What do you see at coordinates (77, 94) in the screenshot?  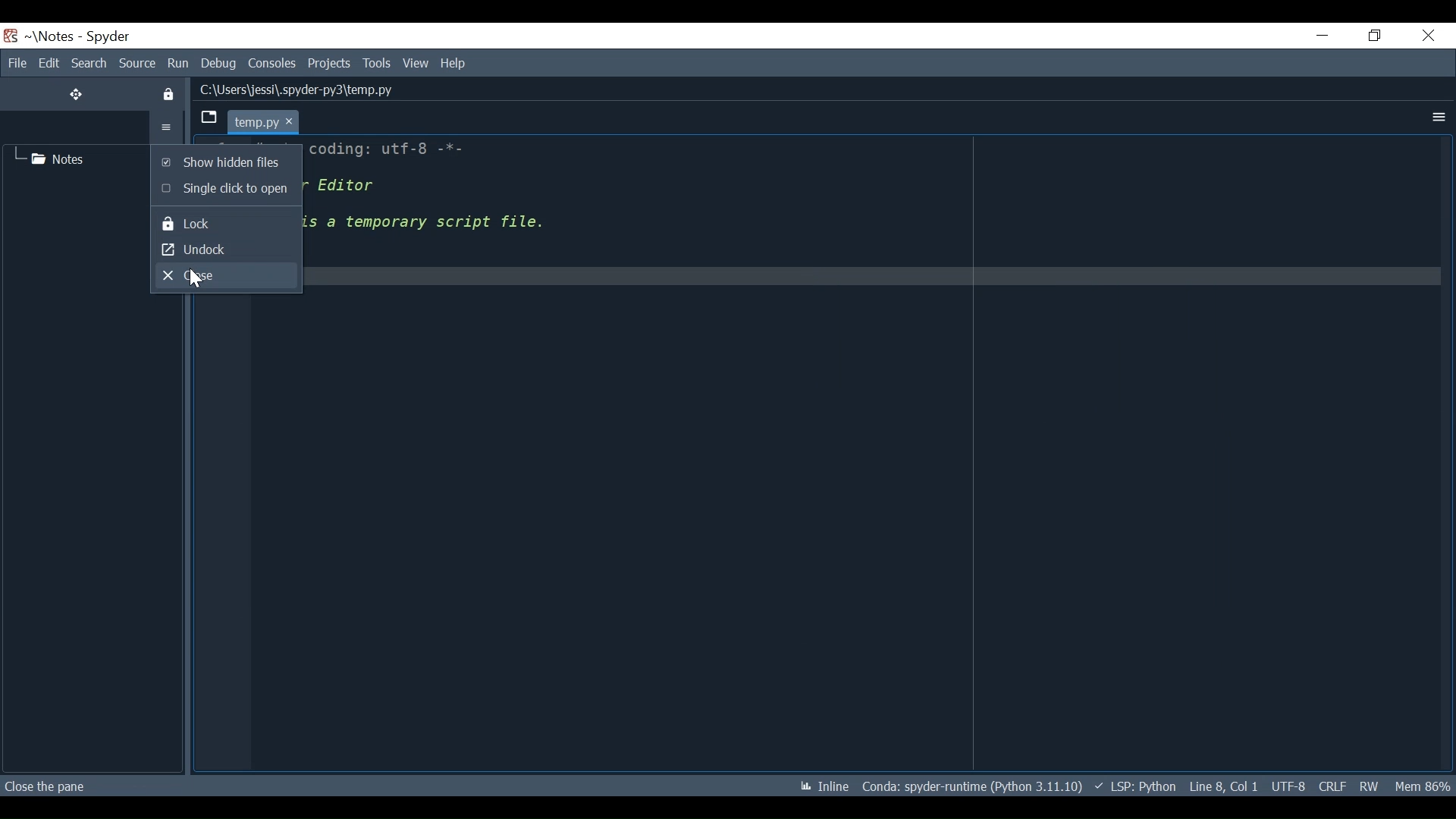 I see `Move` at bounding box center [77, 94].